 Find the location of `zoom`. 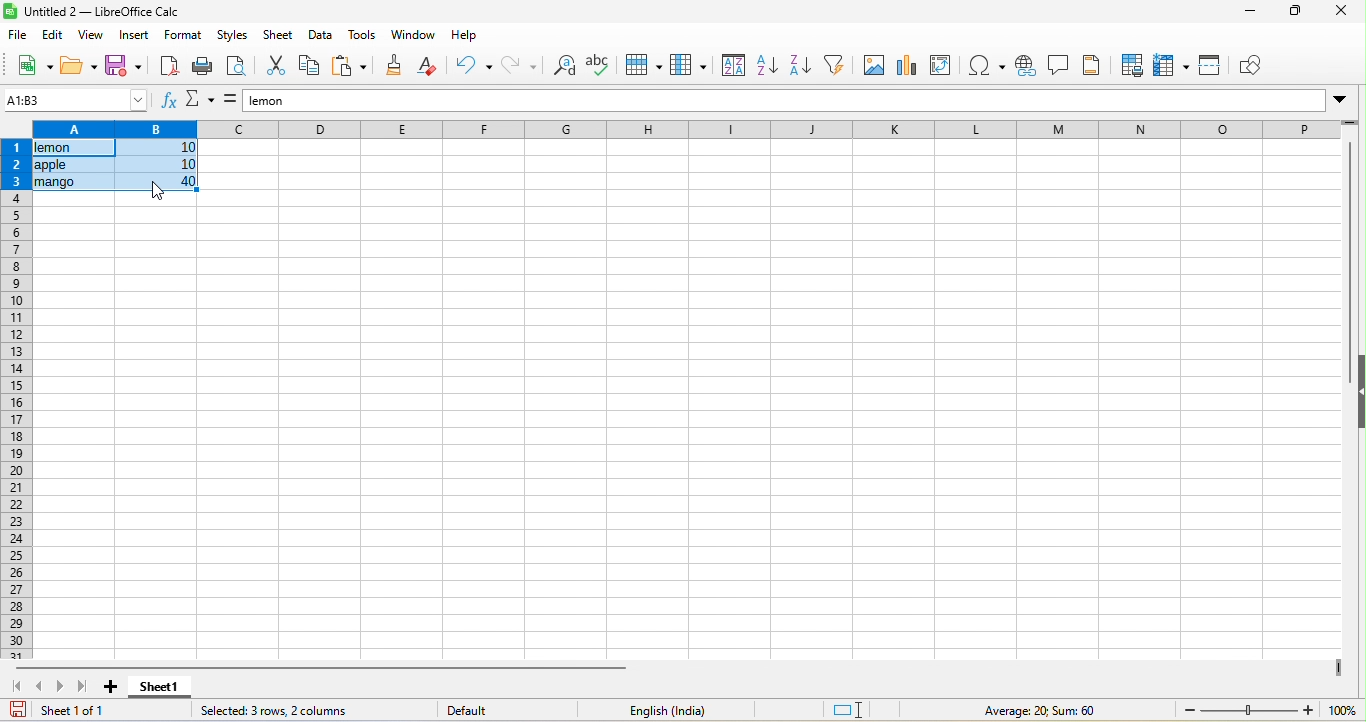

zoom is located at coordinates (1342, 710).